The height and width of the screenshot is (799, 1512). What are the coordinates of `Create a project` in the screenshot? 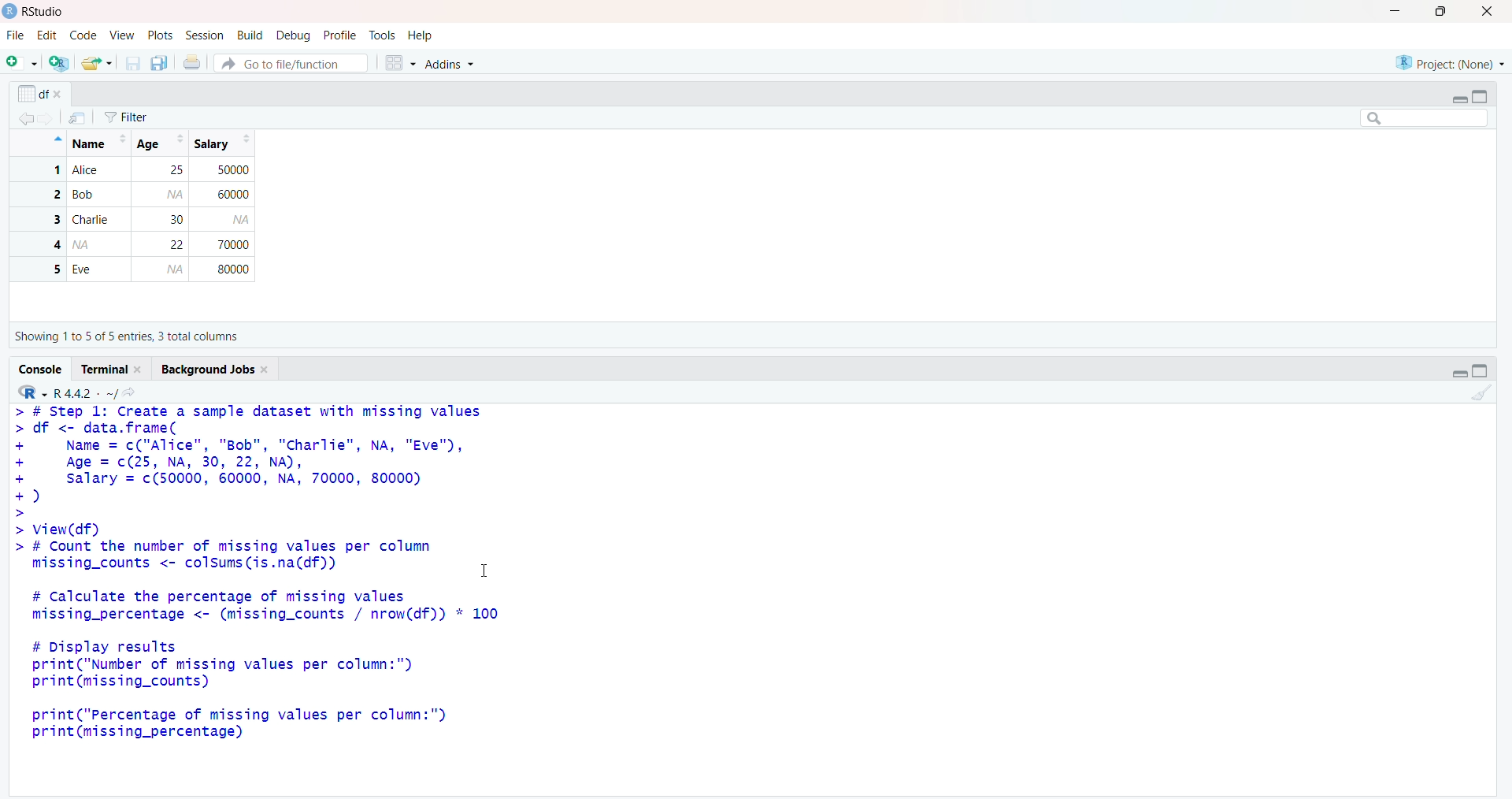 It's located at (57, 63).